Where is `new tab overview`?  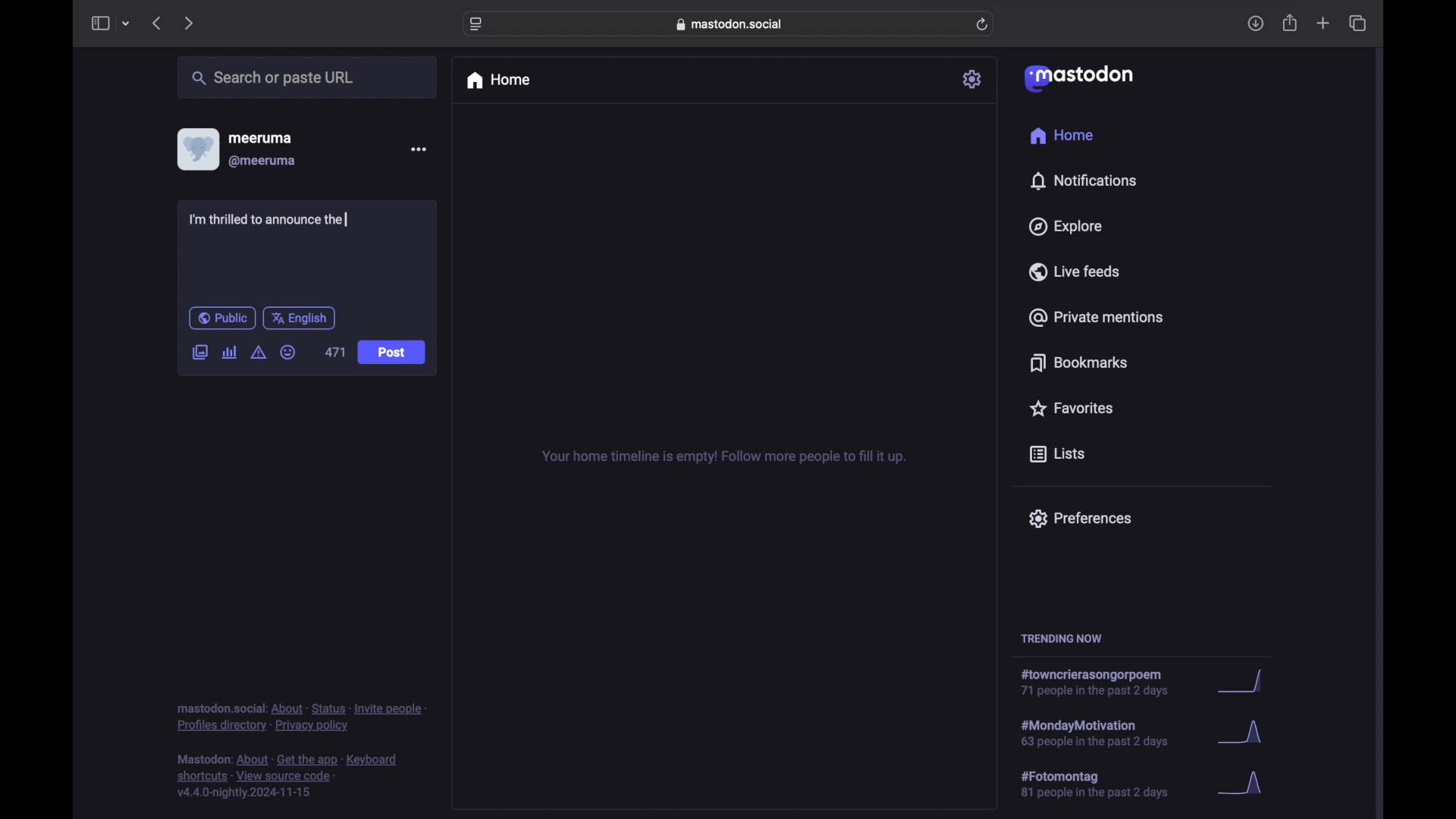 new tab overview is located at coordinates (1323, 23).